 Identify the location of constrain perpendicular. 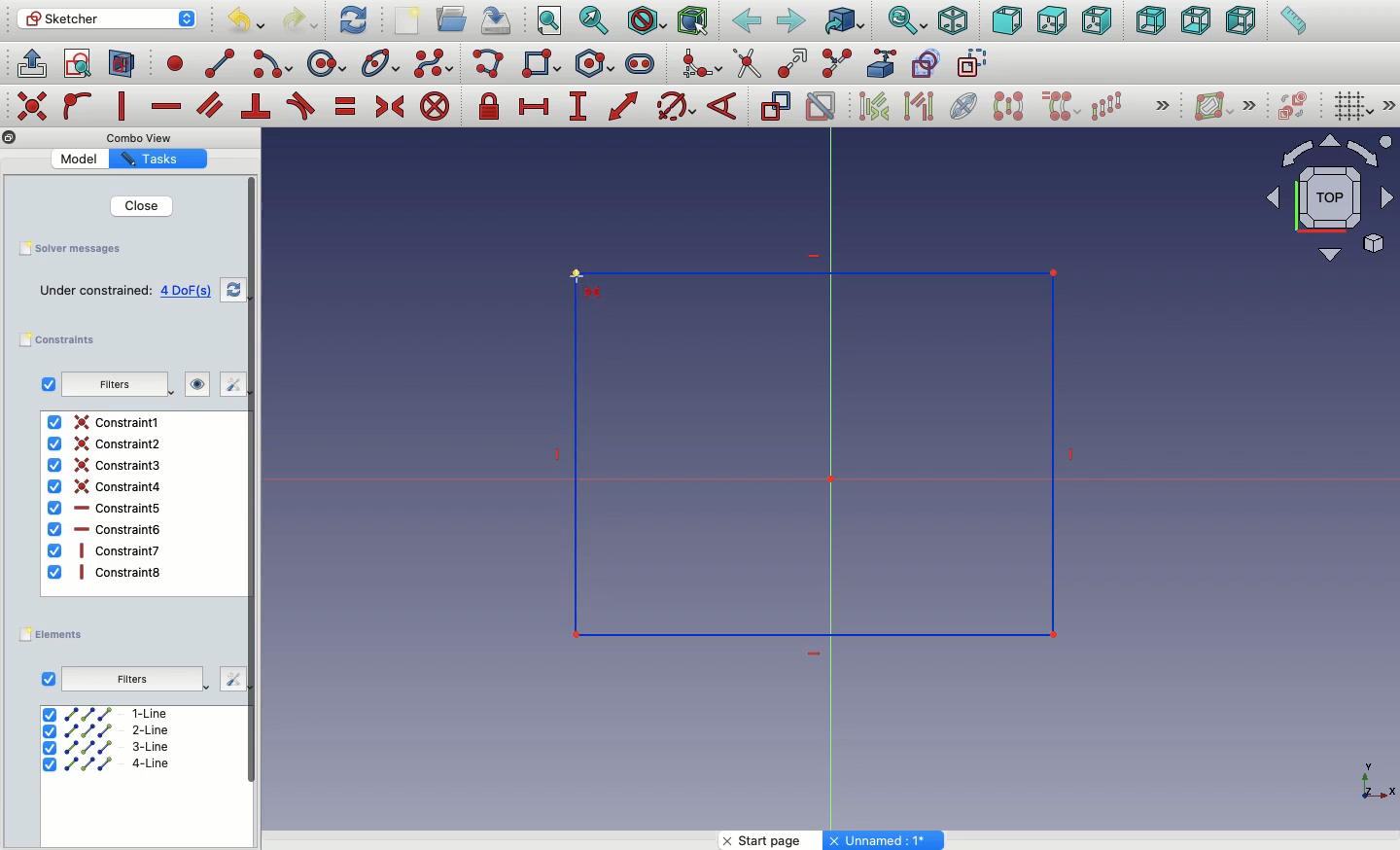
(258, 107).